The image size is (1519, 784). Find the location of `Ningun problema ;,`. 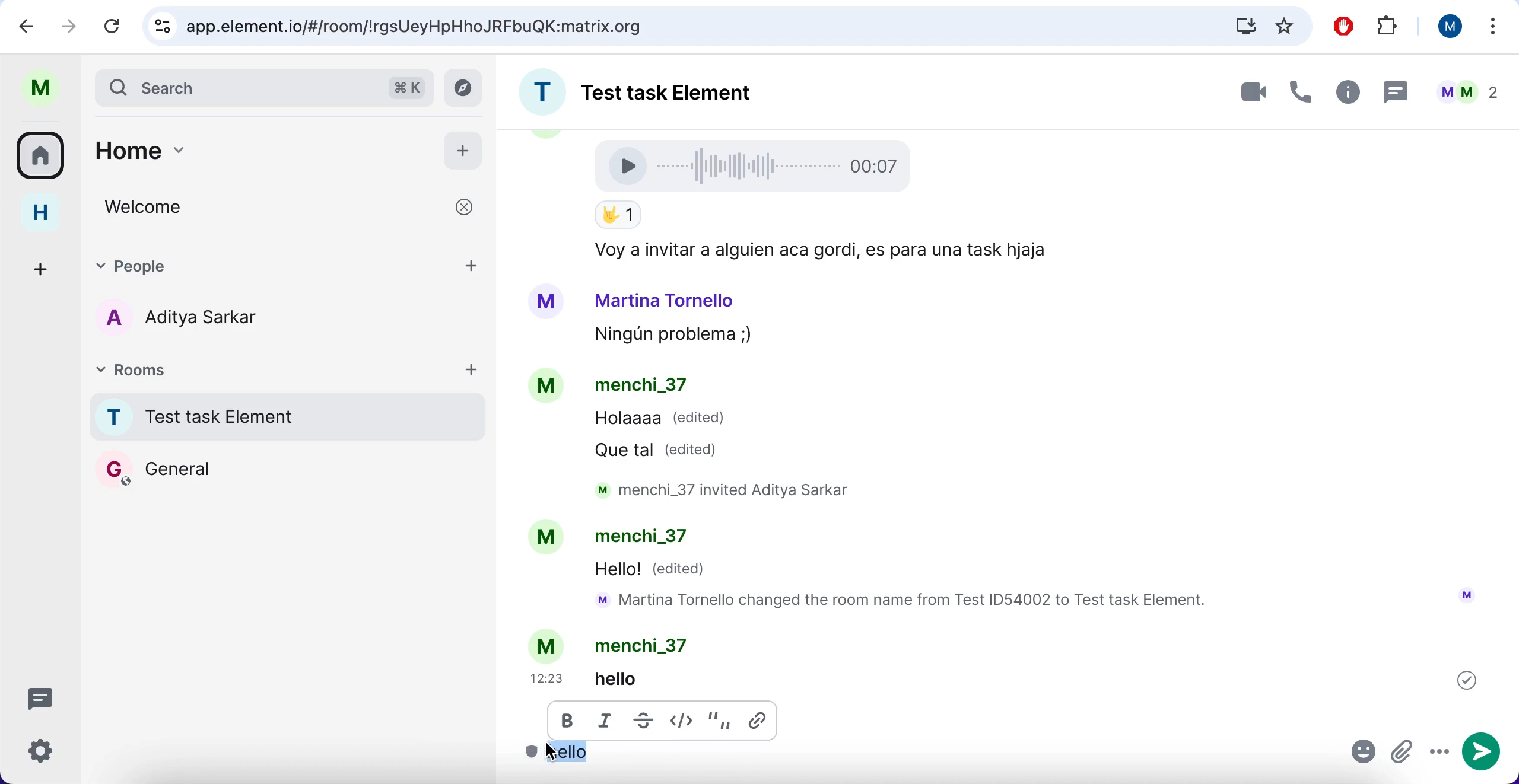

Ningun problema ;, is located at coordinates (667, 336).